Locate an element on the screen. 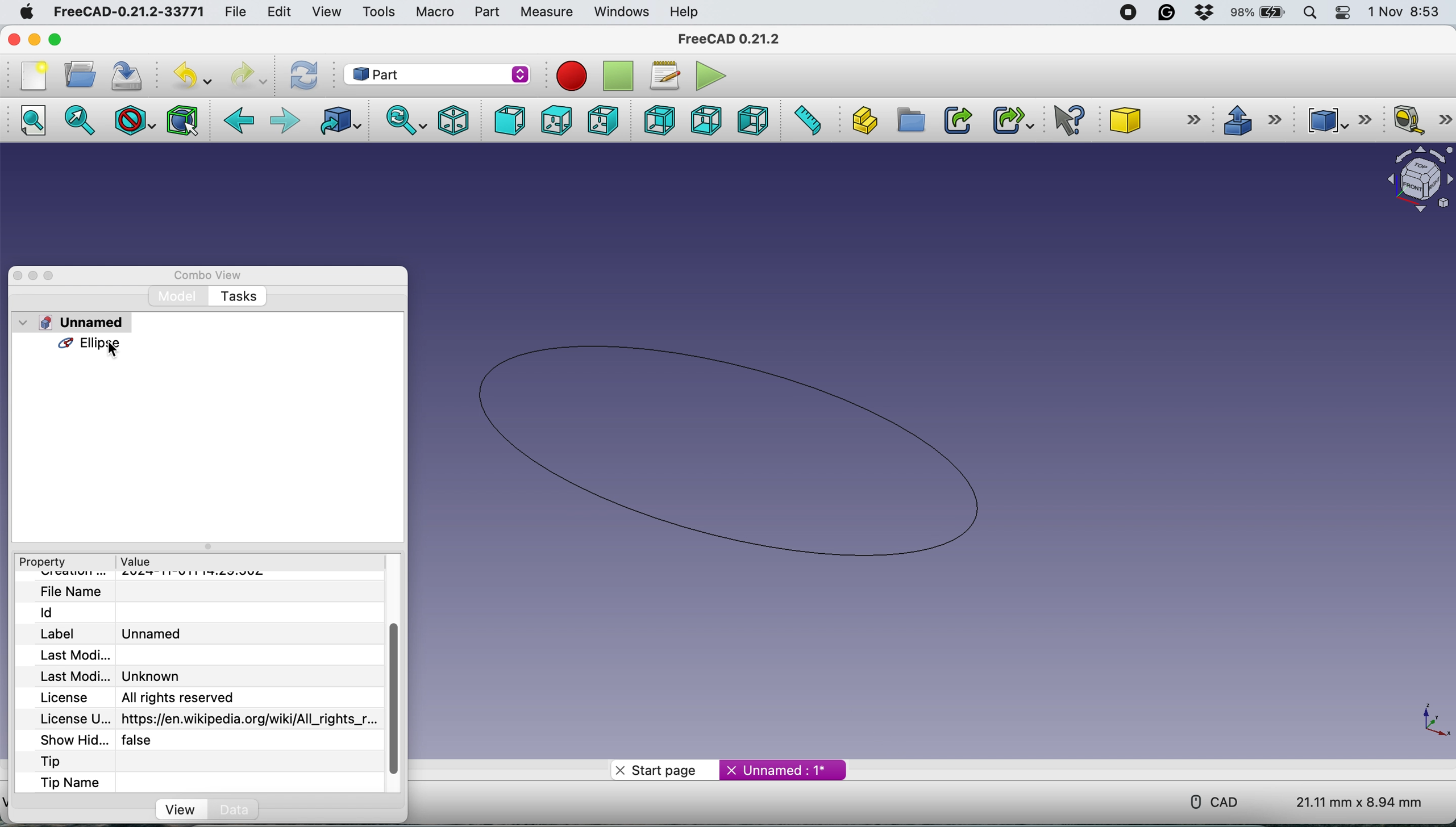  vertical scroll bar is located at coordinates (396, 697).